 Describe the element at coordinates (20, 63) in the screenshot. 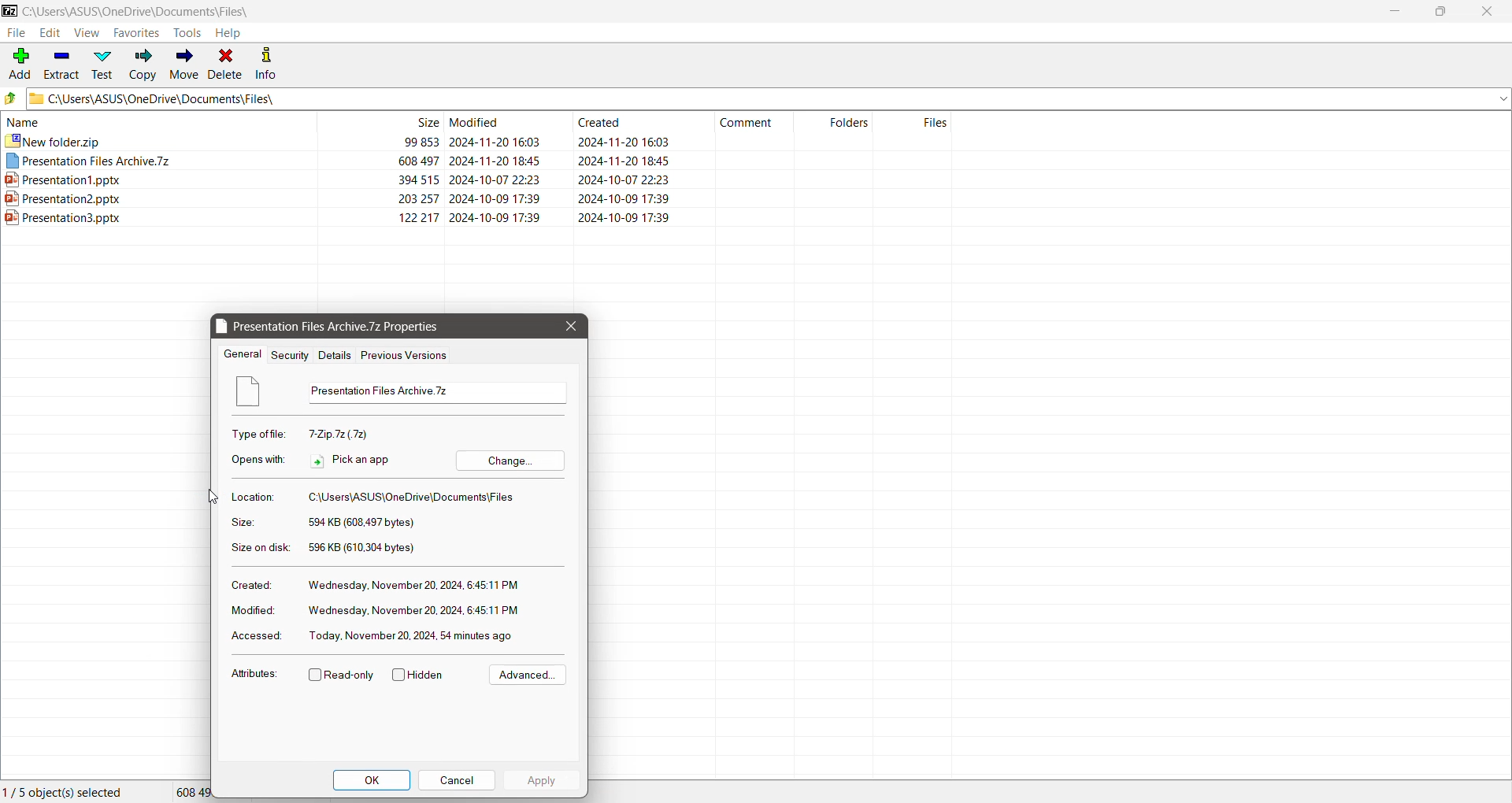

I see `Add` at that location.